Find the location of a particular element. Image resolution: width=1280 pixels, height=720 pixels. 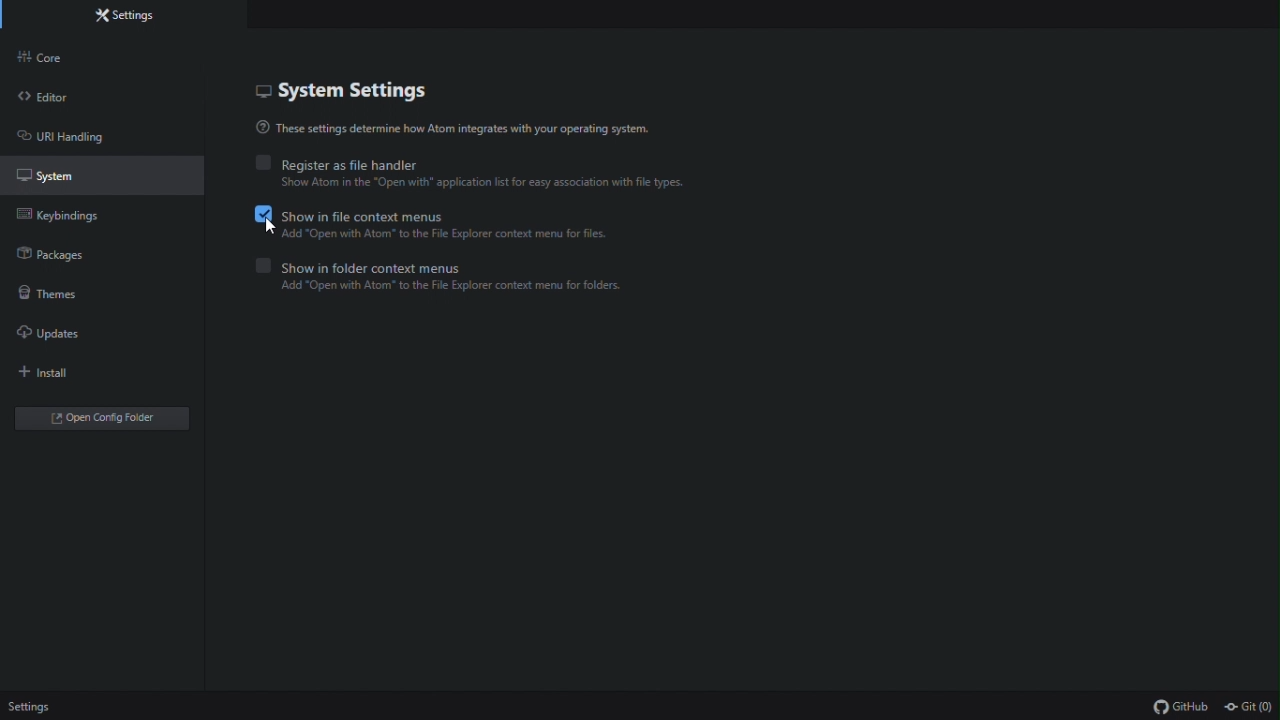

Settings is located at coordinates (31, 706).